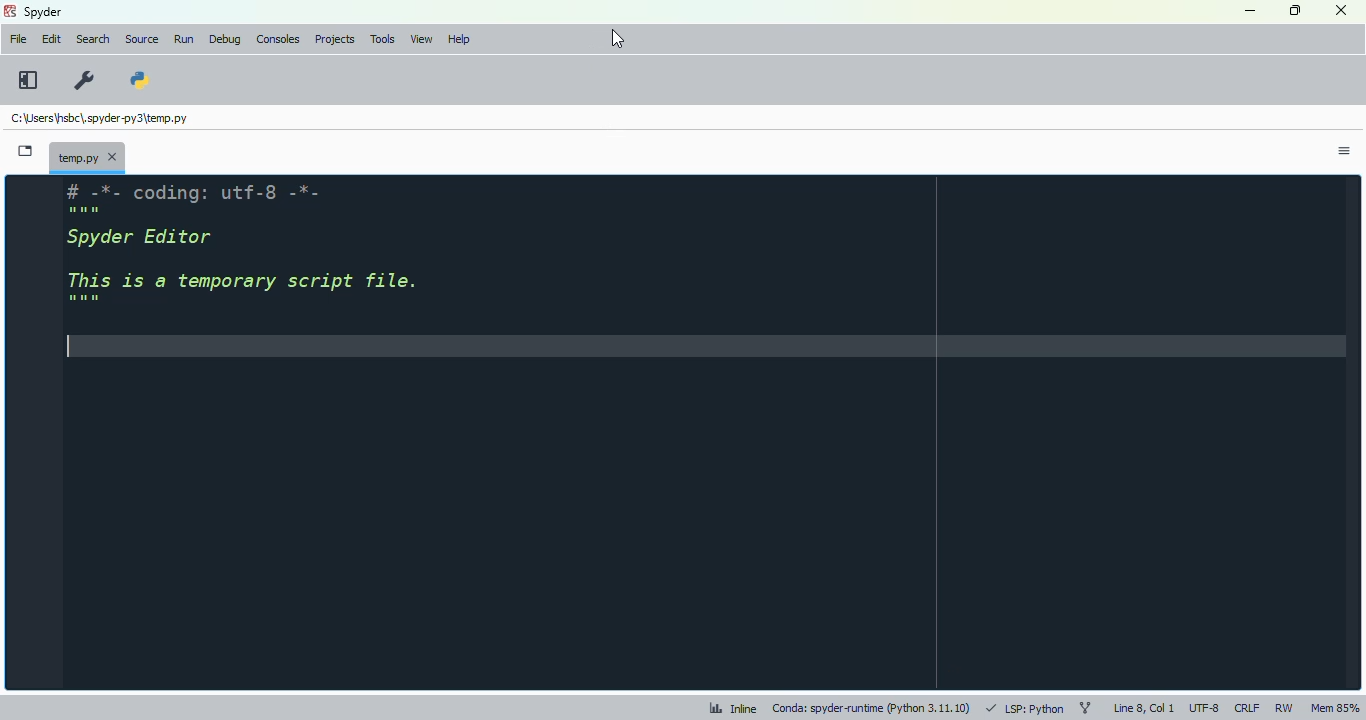 The height and width of the screenshot is (720, 1366). I want to click on view, so click(421, 39).